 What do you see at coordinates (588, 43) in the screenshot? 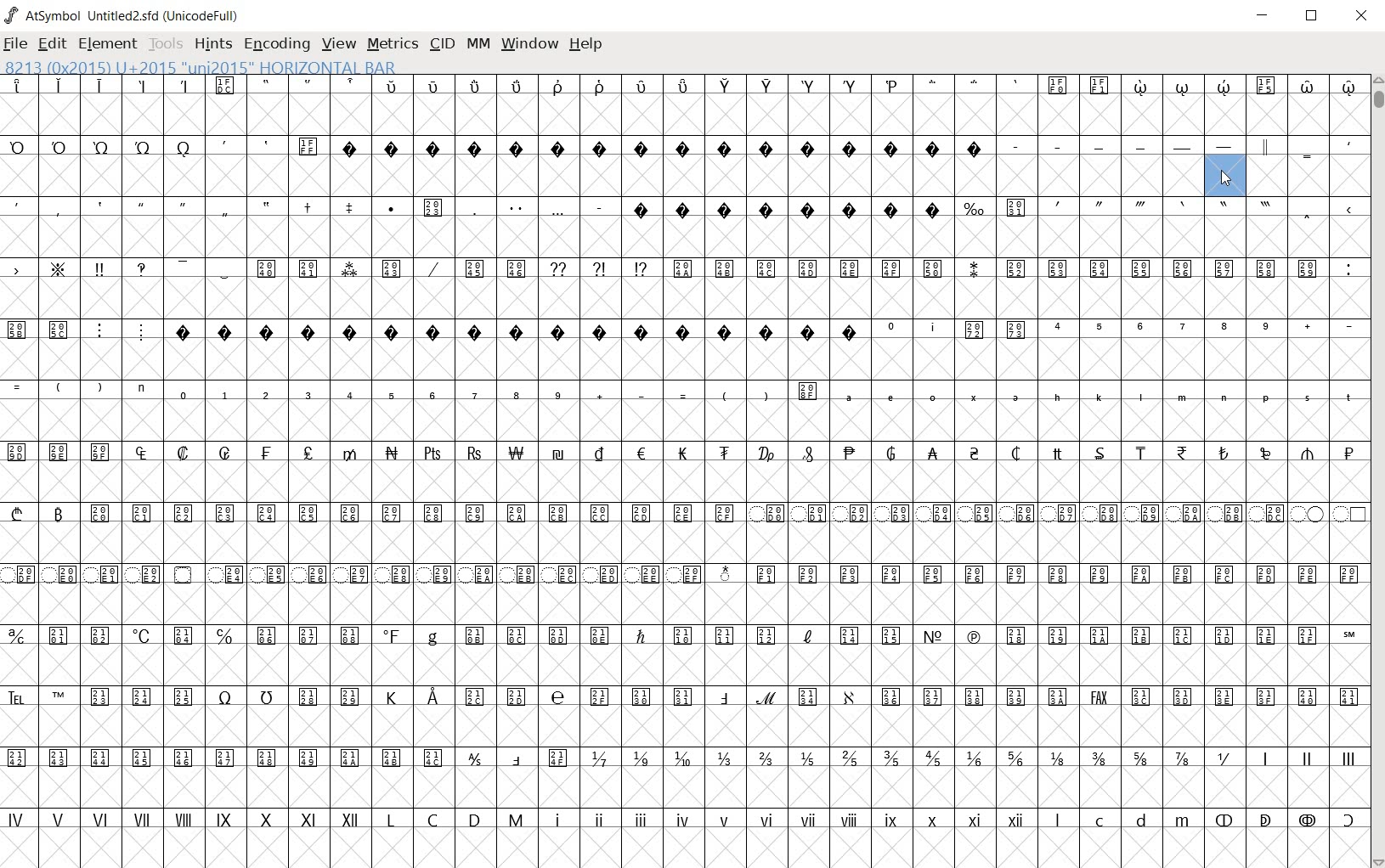
I see `HELP` at bounding box center [588, 43].